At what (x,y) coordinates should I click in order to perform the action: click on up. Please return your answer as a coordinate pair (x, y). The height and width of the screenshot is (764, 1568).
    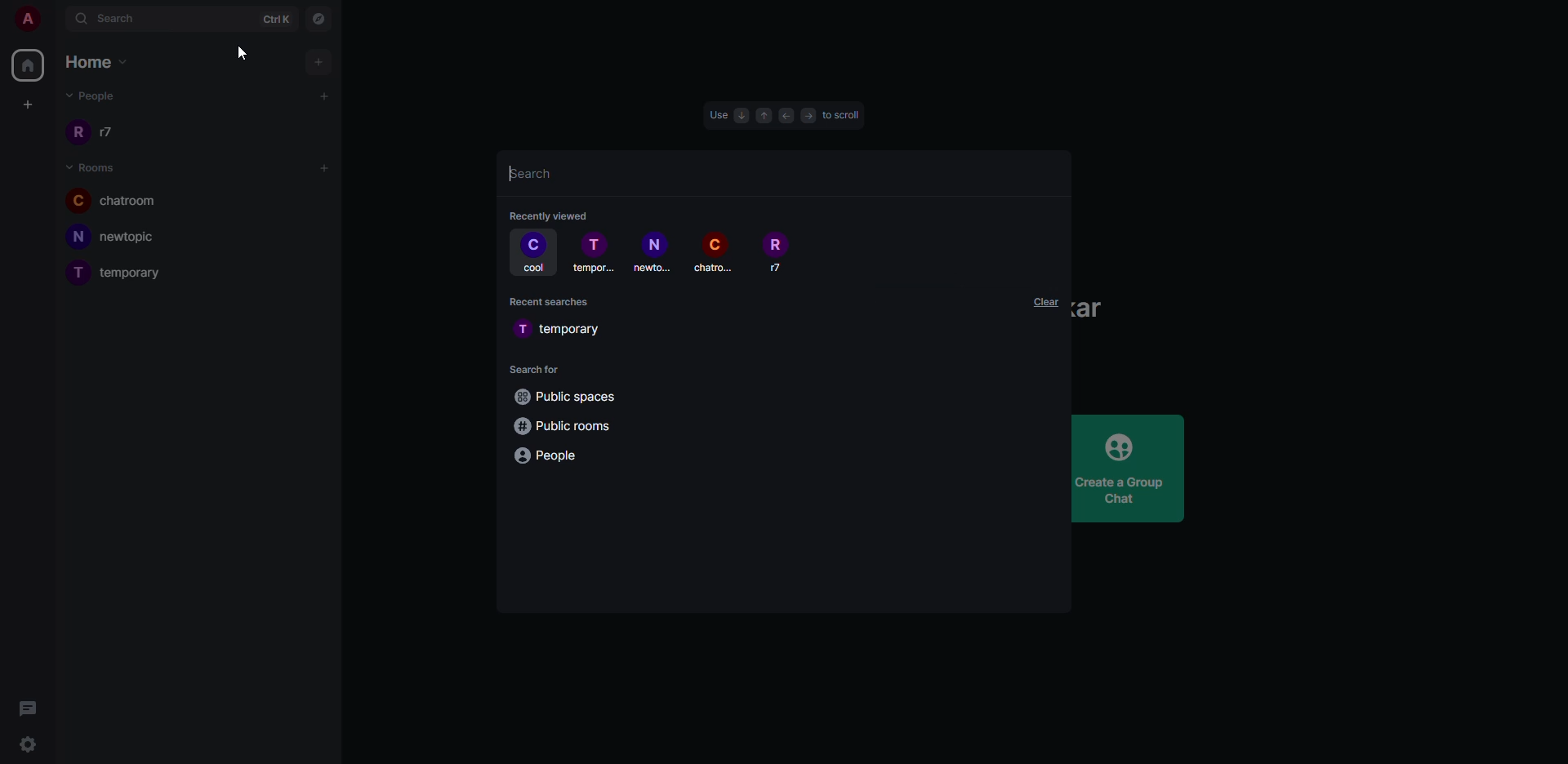
    Looking at the image, I should click on (761, 114).